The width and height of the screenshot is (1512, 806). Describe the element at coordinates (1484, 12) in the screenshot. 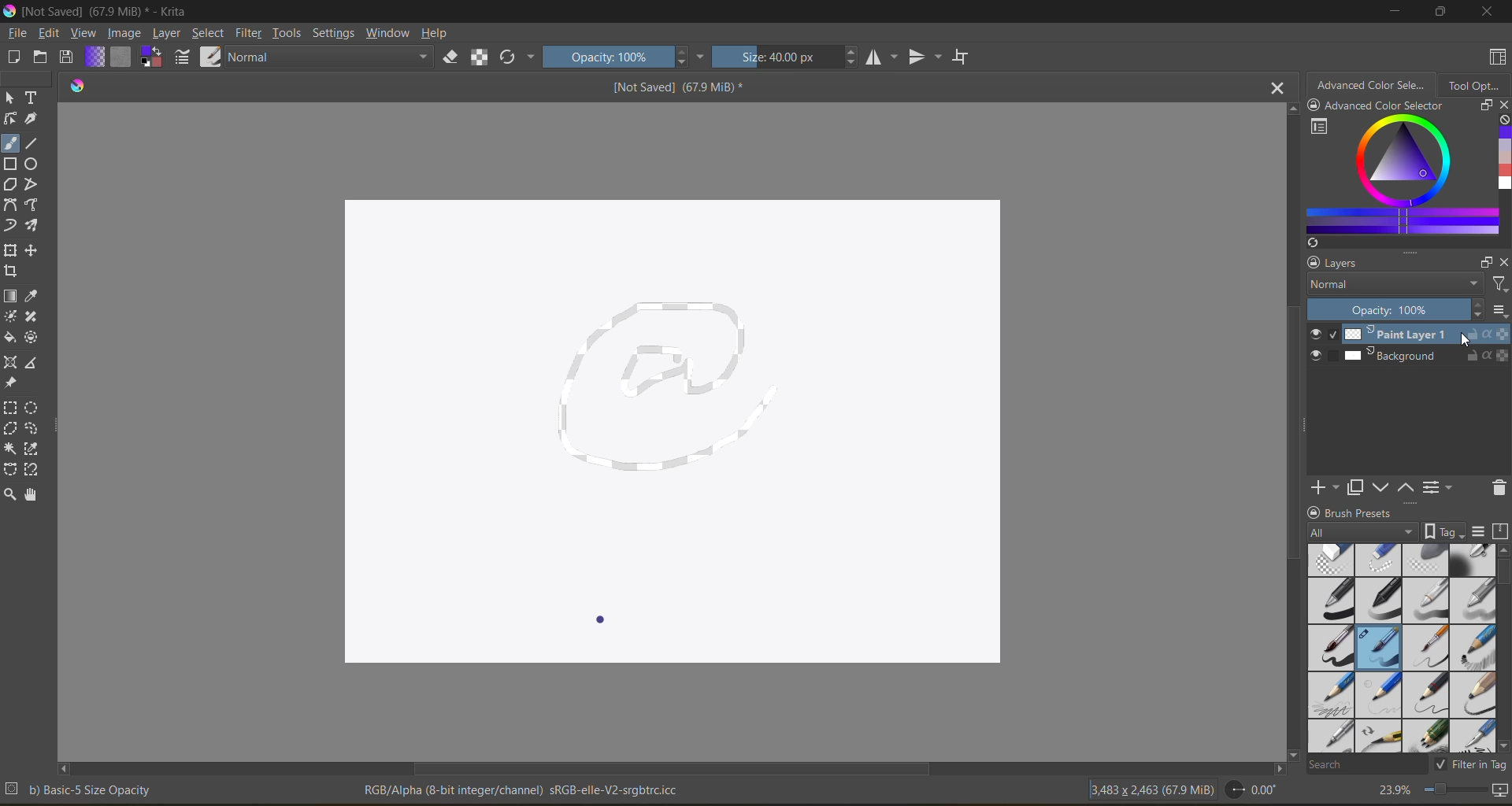

I see `close` at that location.